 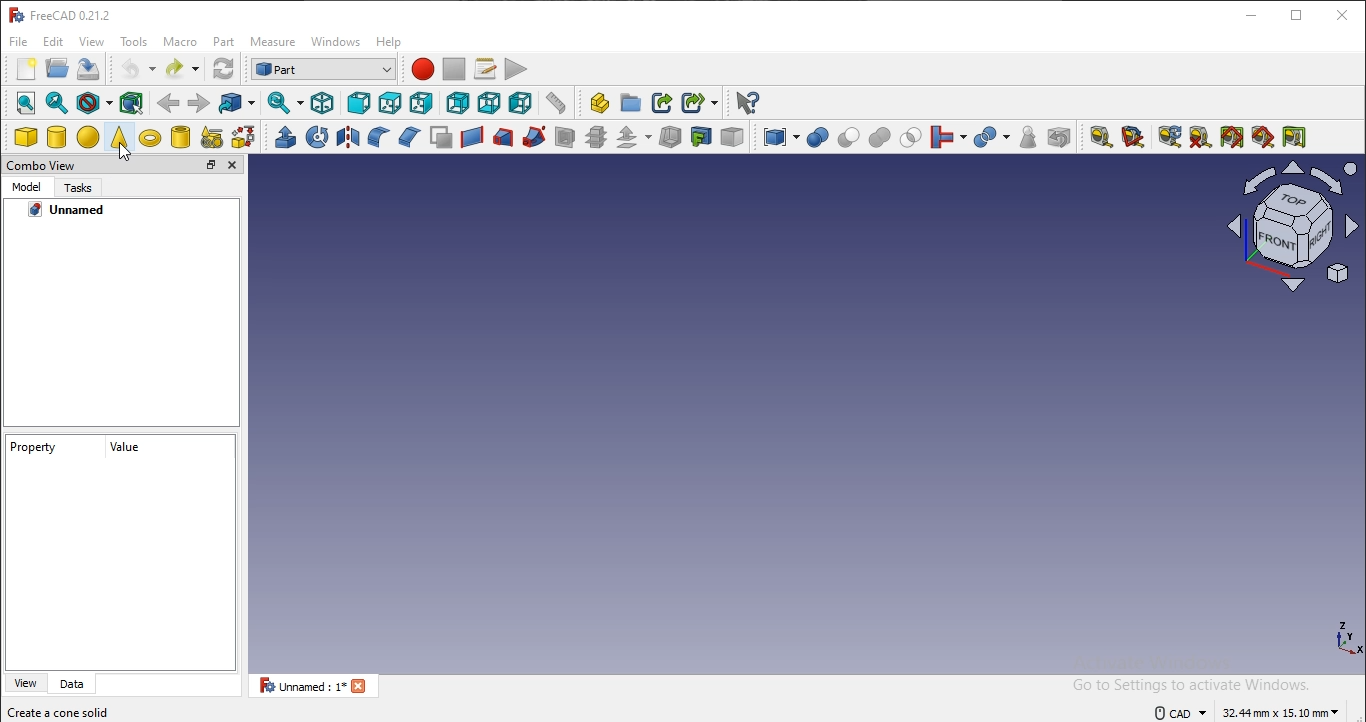 What do you see at coordinates (490, 102) in the screenshot?
I see `bottom` at bounding box center [490, 102].